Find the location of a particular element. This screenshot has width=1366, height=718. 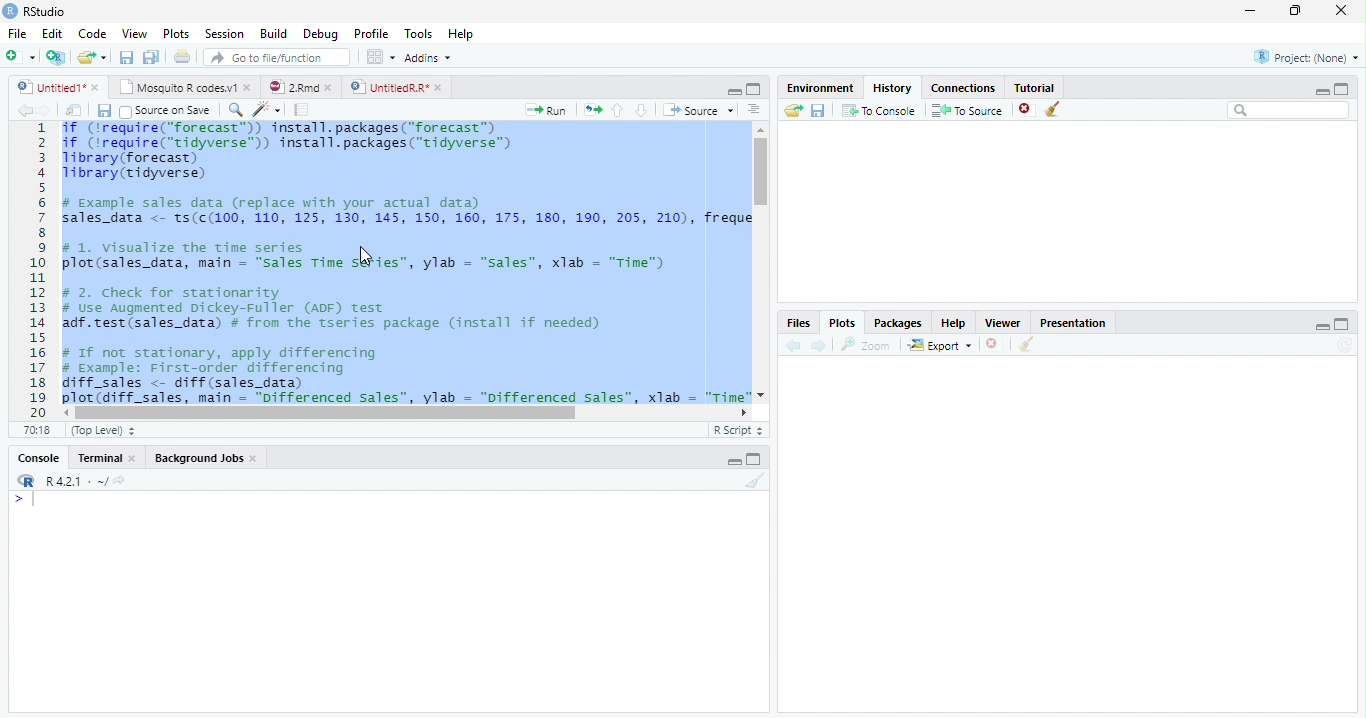

Tutorial is located at coordinates (1034, 88).